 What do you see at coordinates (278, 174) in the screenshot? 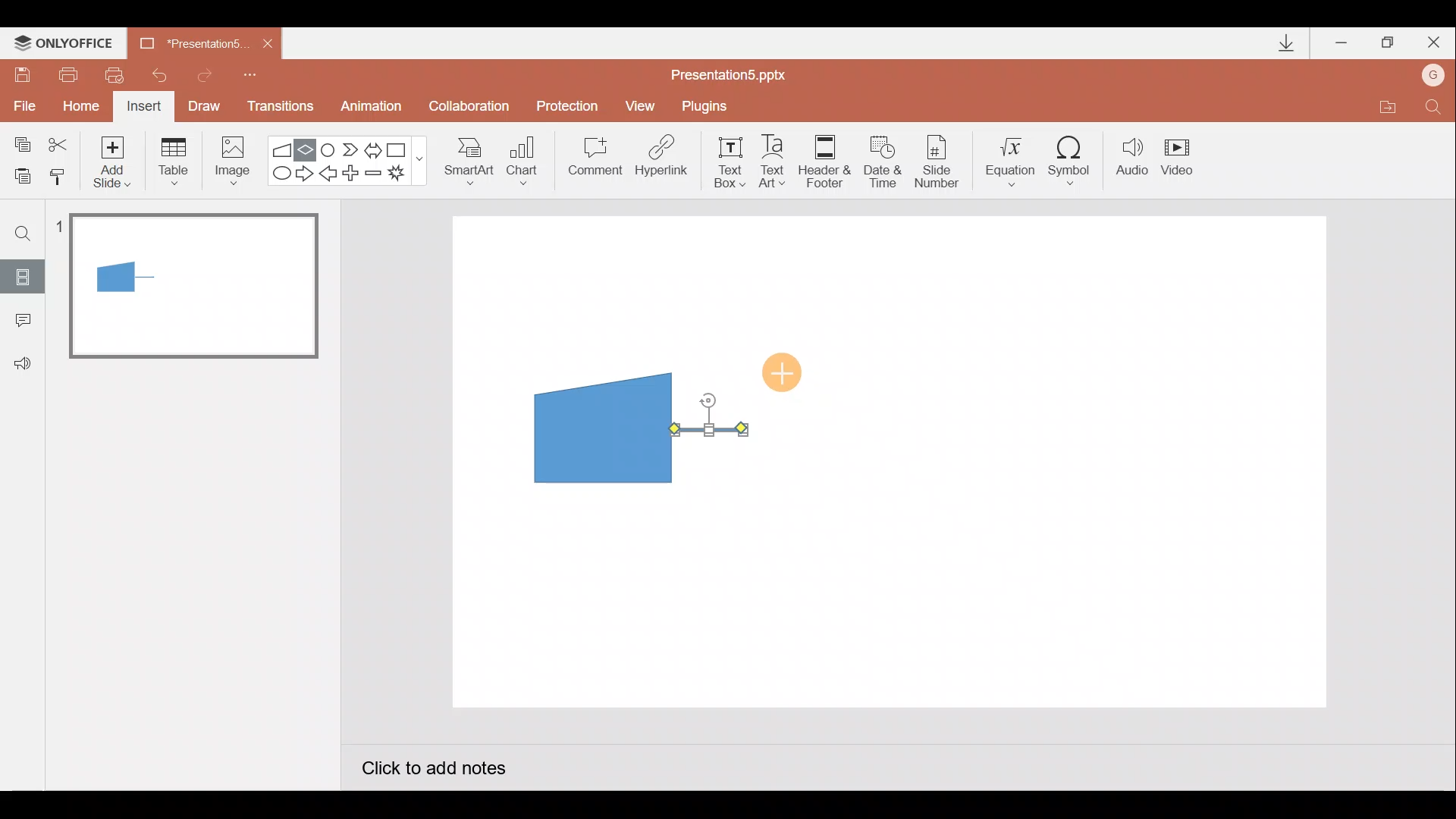
I see `Ellipse` at bounding box center [278, 174].